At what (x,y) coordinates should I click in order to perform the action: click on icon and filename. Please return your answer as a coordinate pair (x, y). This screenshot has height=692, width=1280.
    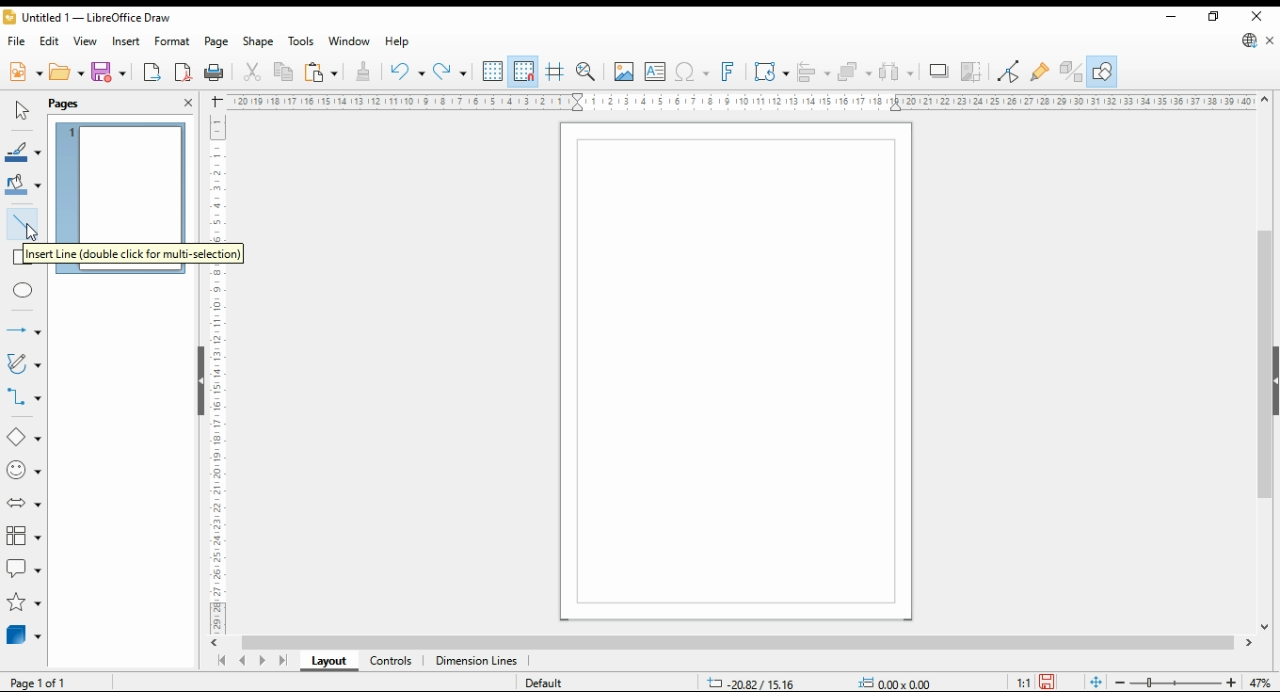
    Looking at the image, I should click on (90, 19).